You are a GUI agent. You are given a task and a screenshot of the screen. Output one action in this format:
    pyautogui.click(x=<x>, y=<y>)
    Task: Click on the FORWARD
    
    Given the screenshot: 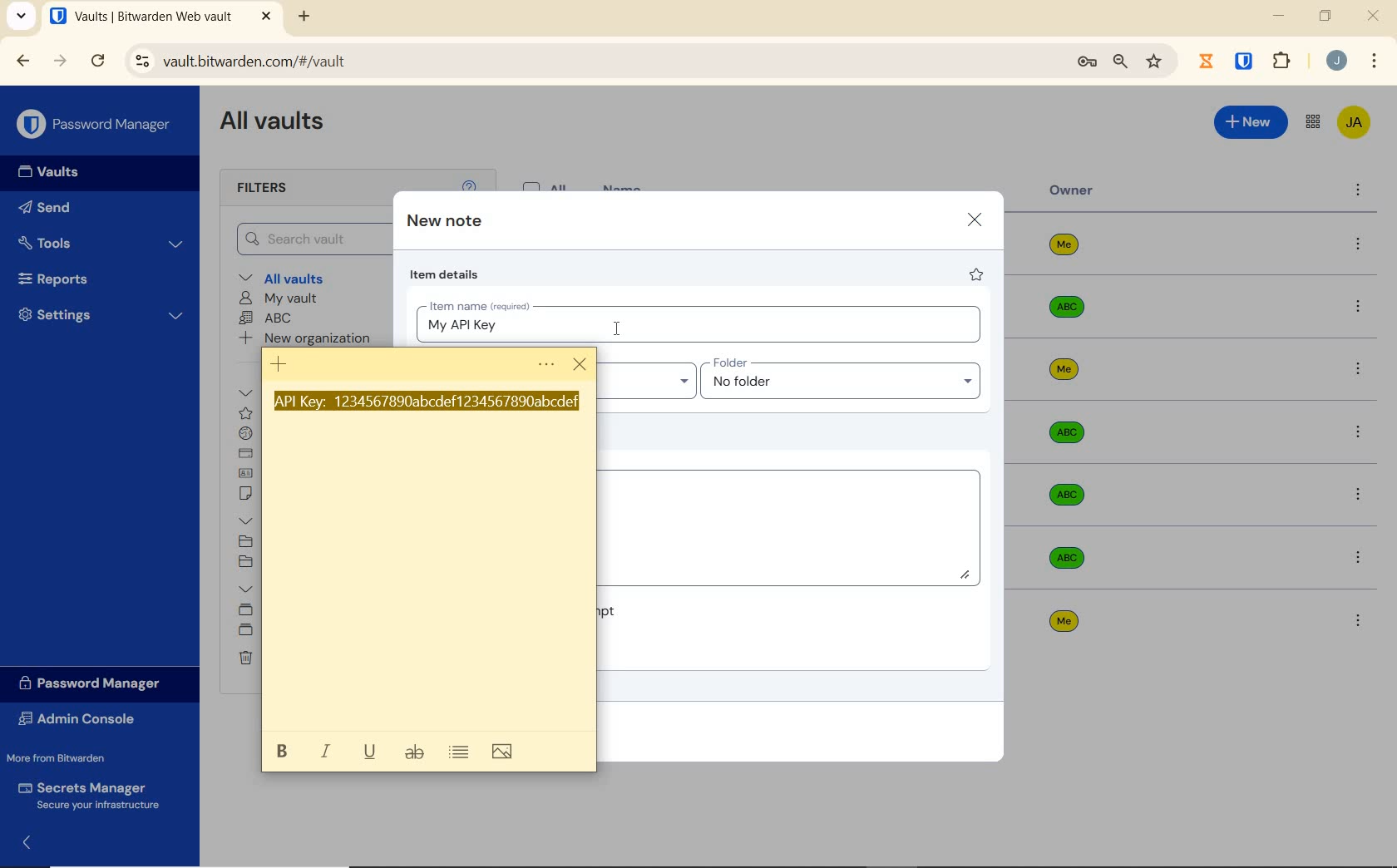 What is the action you would take?
    pyautogui.click(x=61, y=62)
    